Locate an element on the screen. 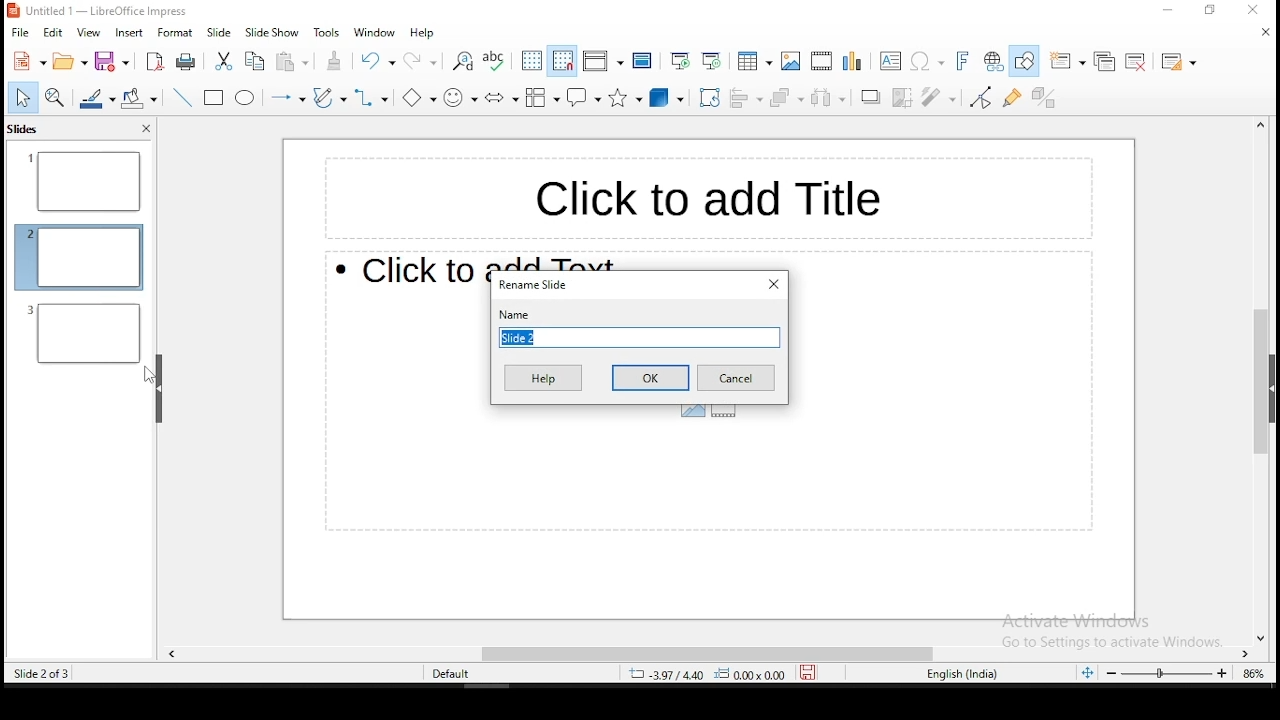 This screenshot has height=720, width=1280. close window is located at coordinates (772, 284).